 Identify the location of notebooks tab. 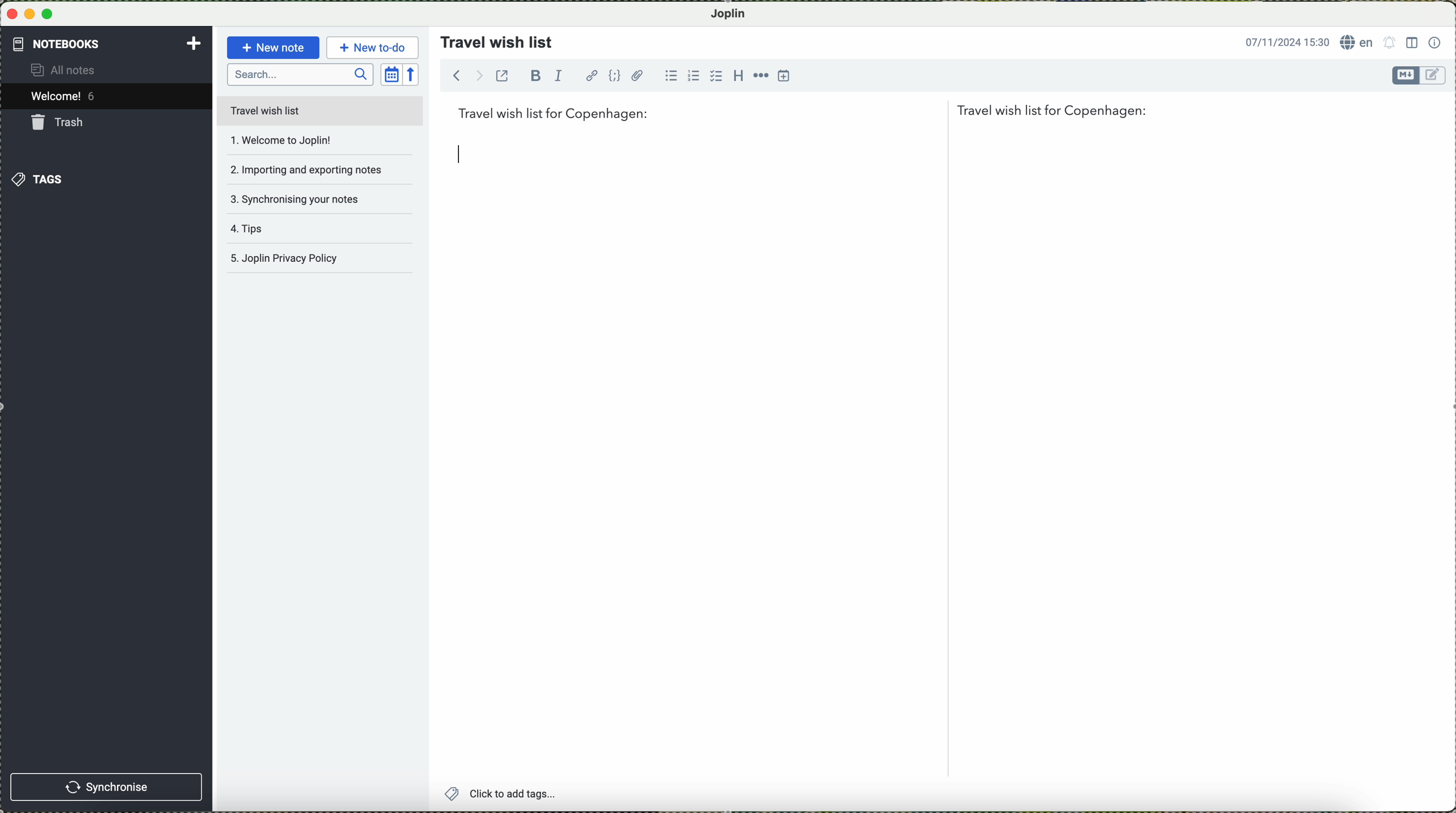
(107, 44).